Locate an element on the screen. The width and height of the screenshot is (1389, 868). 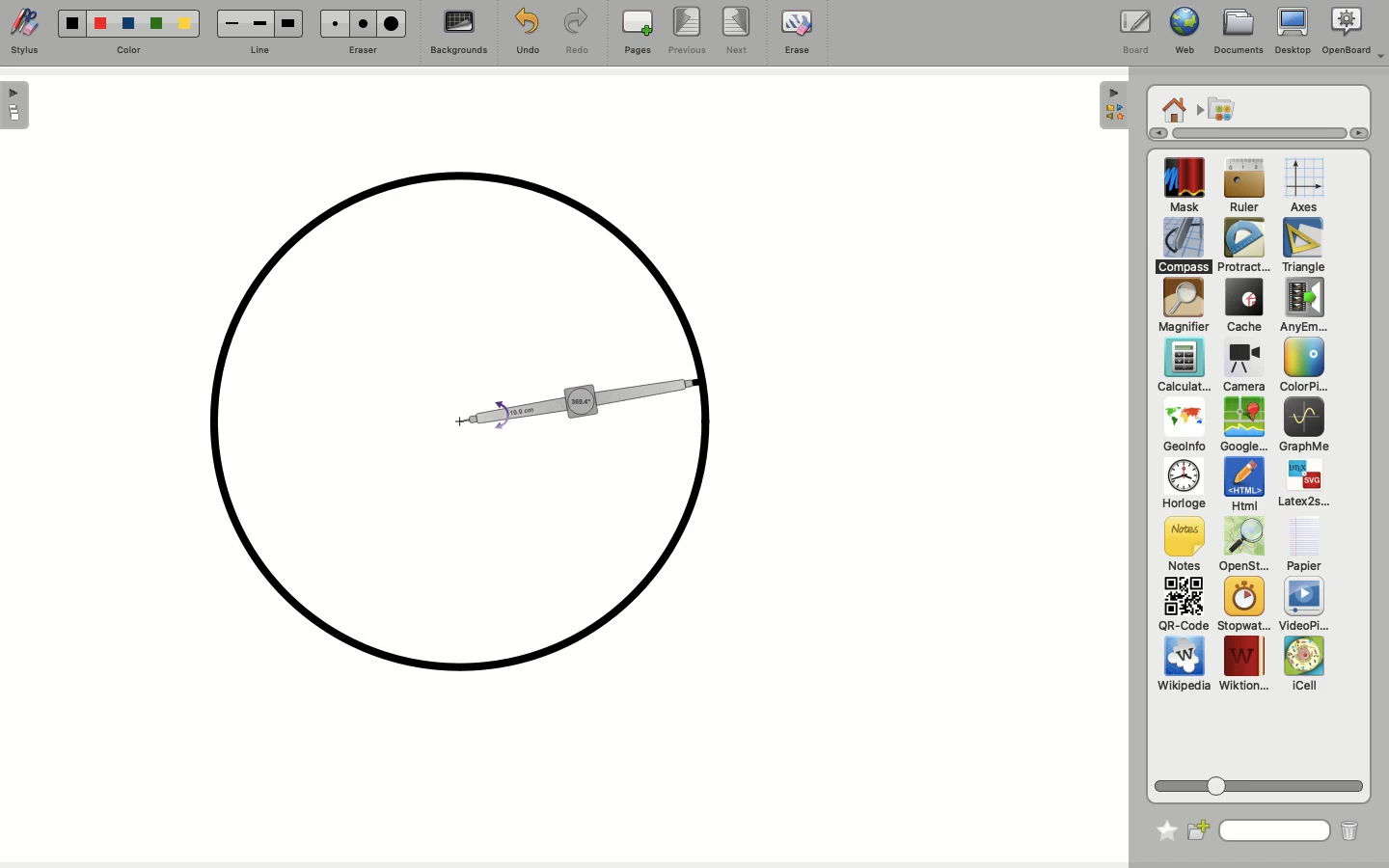
Favorite is located at coordinates (1161, 827).